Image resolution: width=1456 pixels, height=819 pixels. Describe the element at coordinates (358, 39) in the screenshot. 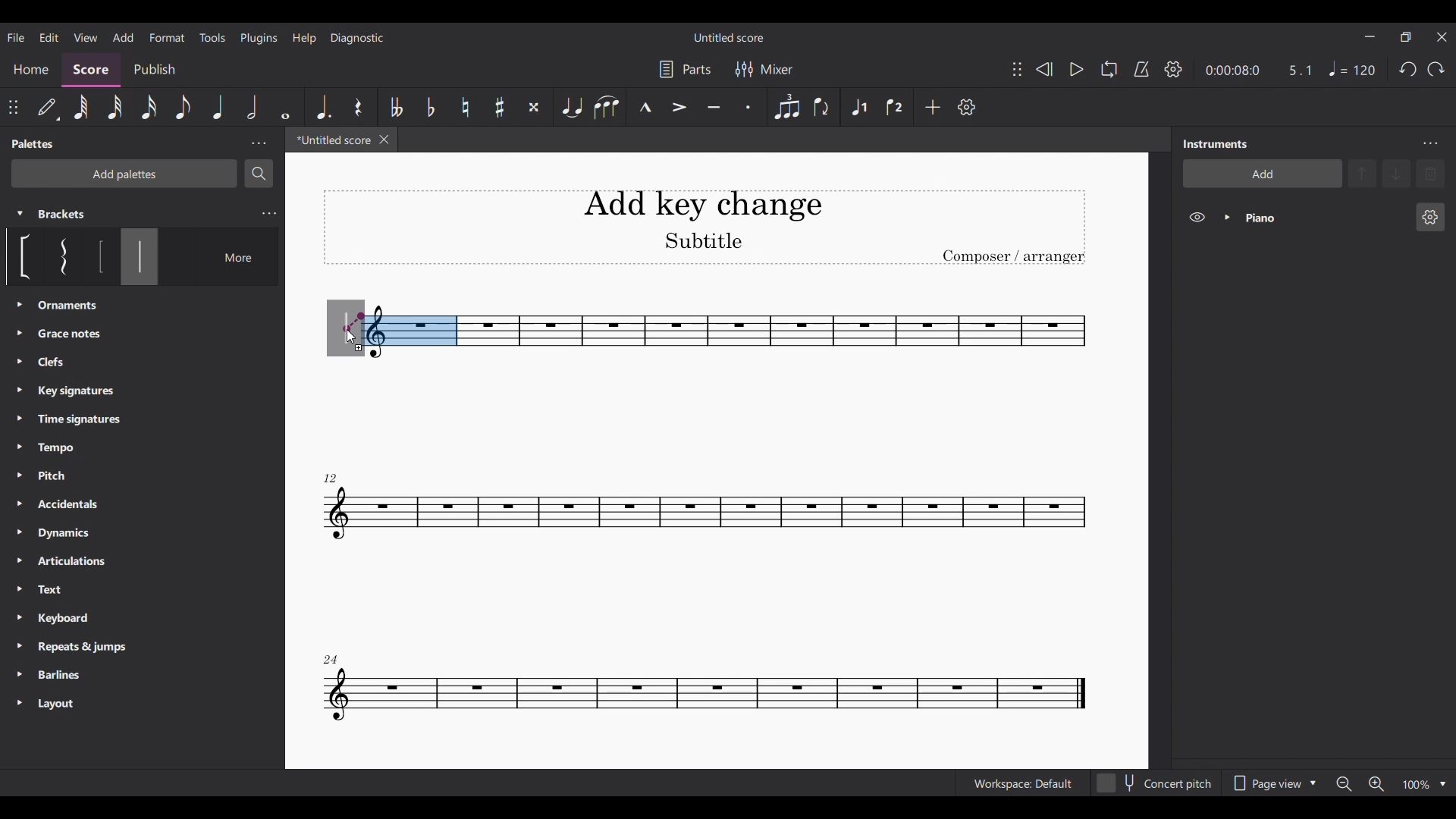

I see `Diagnostic menu` at that location.